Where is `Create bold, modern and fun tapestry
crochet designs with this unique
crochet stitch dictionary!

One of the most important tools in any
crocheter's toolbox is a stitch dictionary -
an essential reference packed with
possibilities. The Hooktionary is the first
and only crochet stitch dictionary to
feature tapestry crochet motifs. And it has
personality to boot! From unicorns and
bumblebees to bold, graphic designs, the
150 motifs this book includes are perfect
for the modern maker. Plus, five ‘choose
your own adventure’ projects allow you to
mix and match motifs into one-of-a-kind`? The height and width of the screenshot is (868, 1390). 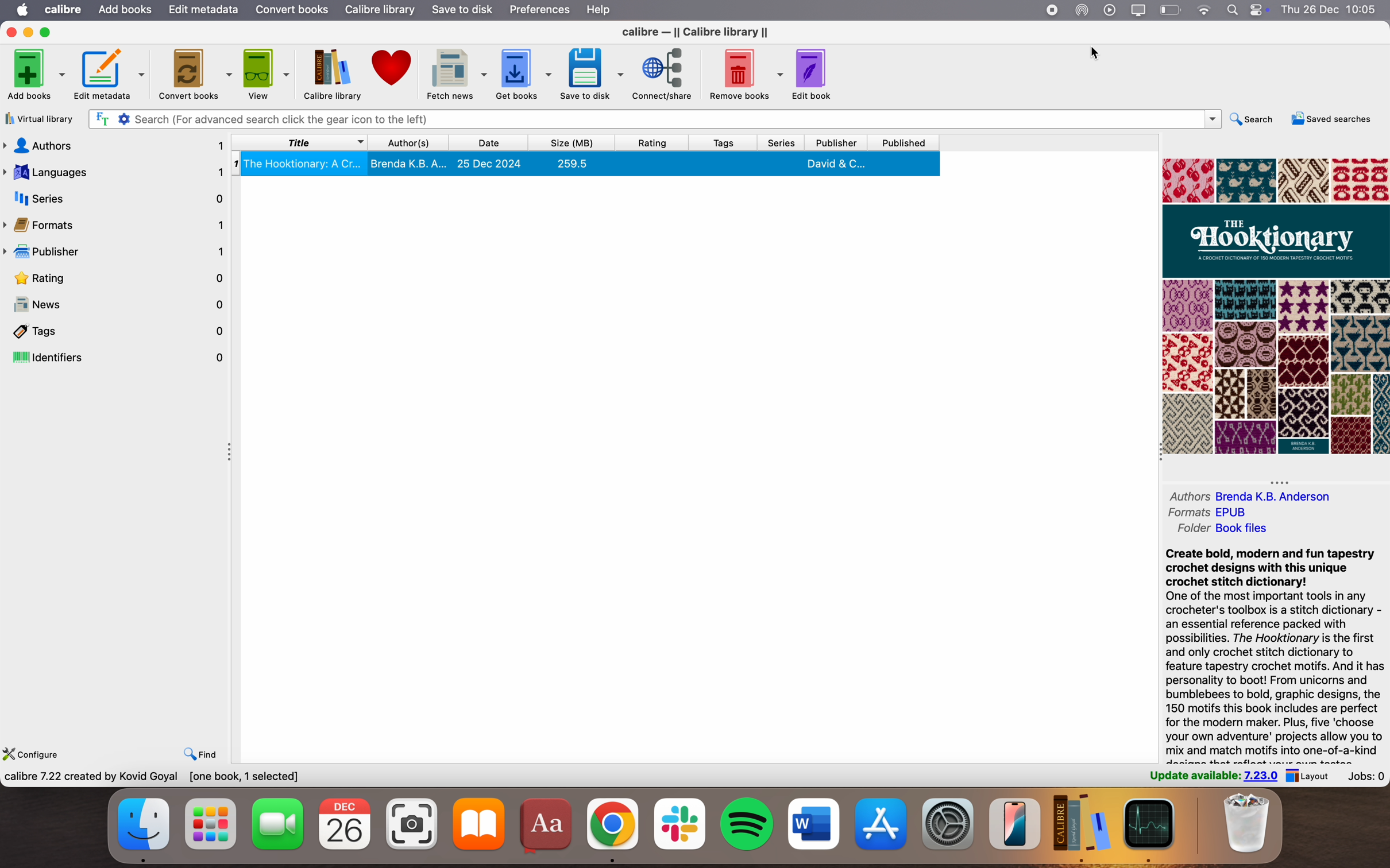
Create bold, modern and fun tapestry
crochet designs with this unique
crochet stitch dictionary!

One of the most important tools in any
crocheter's toolbox is a stitch dictionary -
an essential reference packed with
possibilities. The Hooktionary is the first
and only crochet stitch dictionary to
feature tapestry crochet motifs. And it has
personality to boot! From unicorns and
bumblebees to bold, graphic designs, the
150 motifs this book includes are perfect
for the modern maker. Plus, five ‘choose
your own adventure’ projects allow you to
mix and match motifs into one-of-a-kind is located at coordinates (1260, 650).